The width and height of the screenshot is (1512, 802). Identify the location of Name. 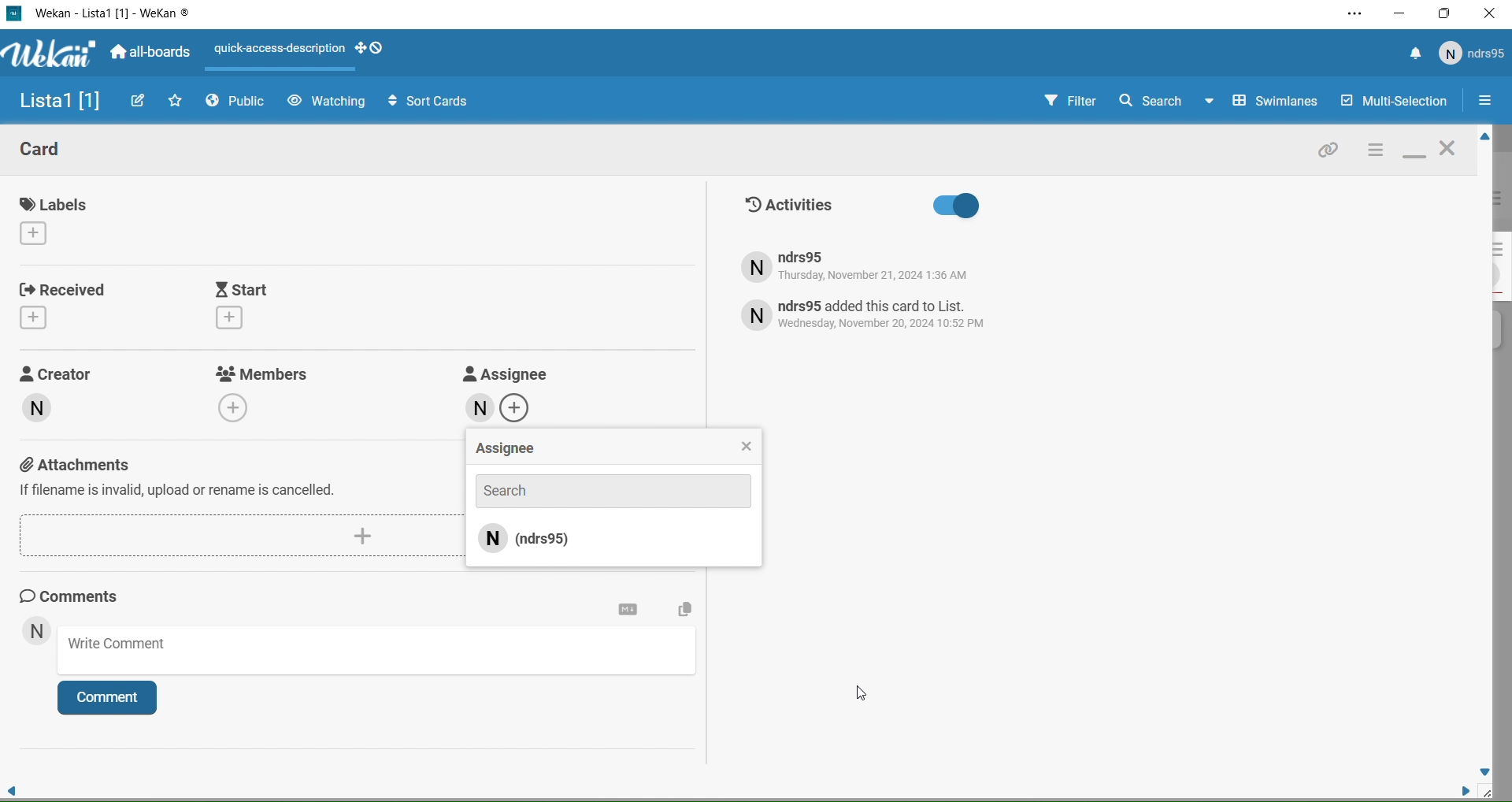
(55, 102).